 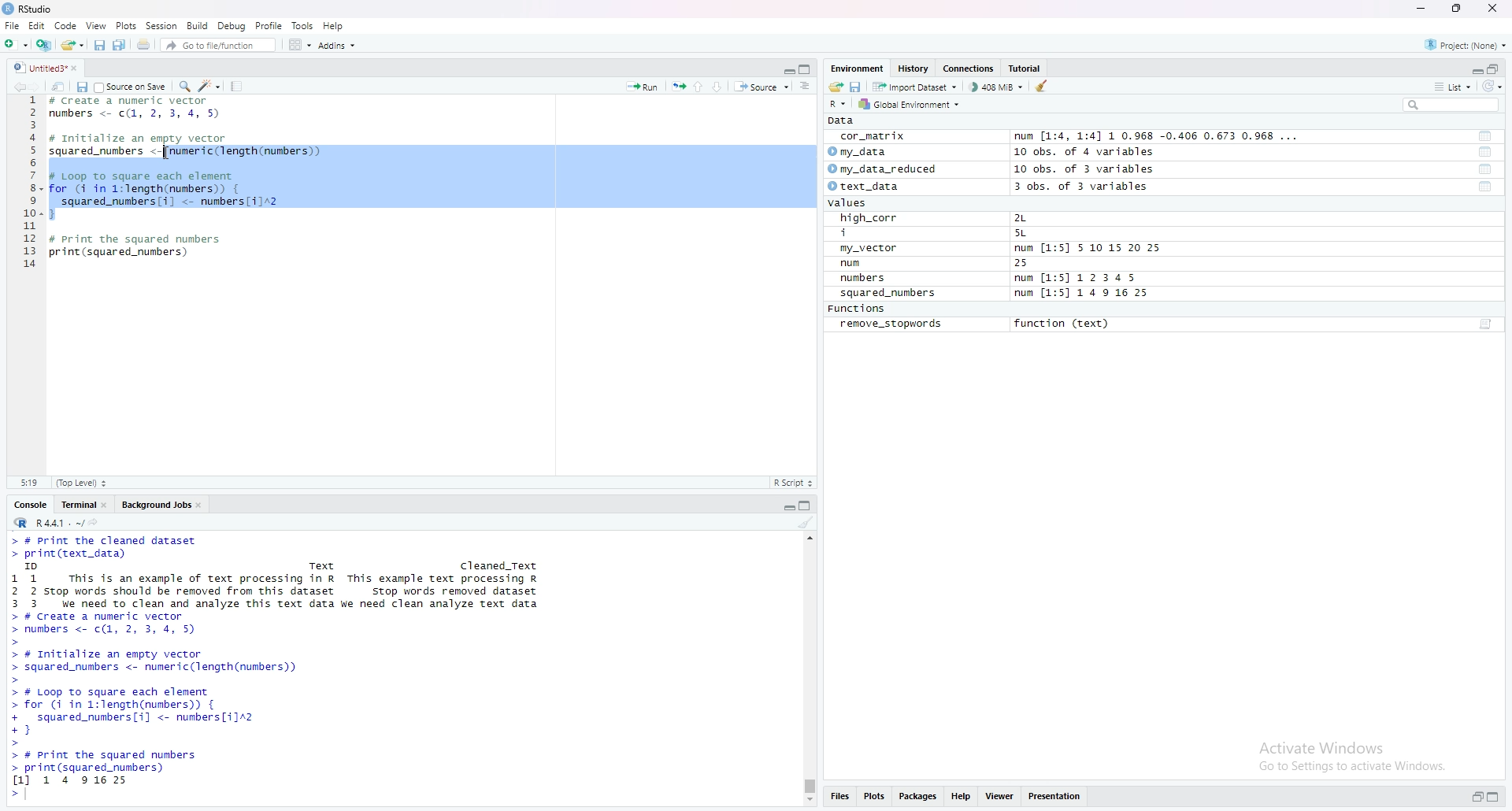 I want to click on line number, so click(x=29, y=187).